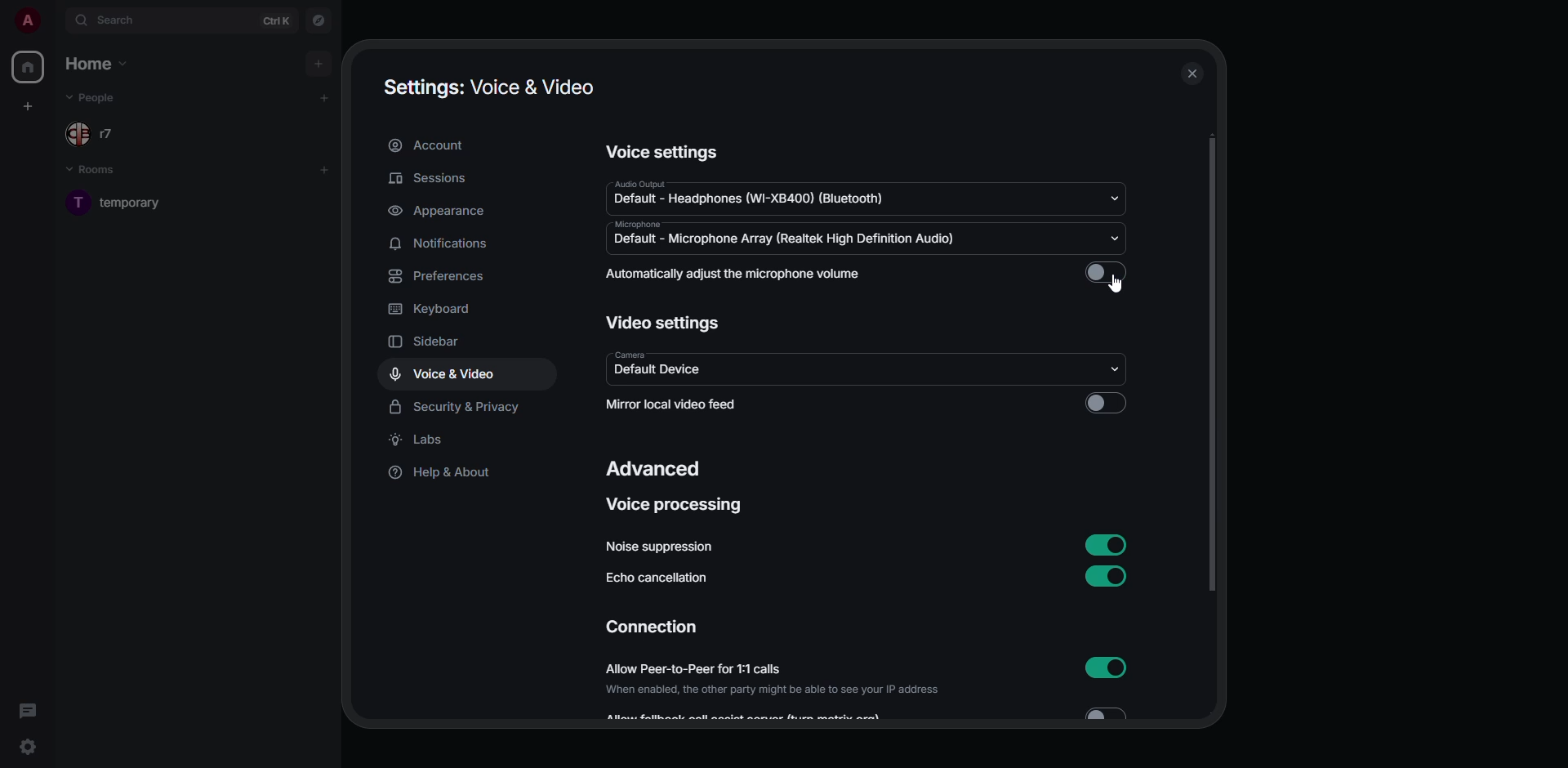 The image size is (1568, 768). I want to click on add, so click(318, 61).